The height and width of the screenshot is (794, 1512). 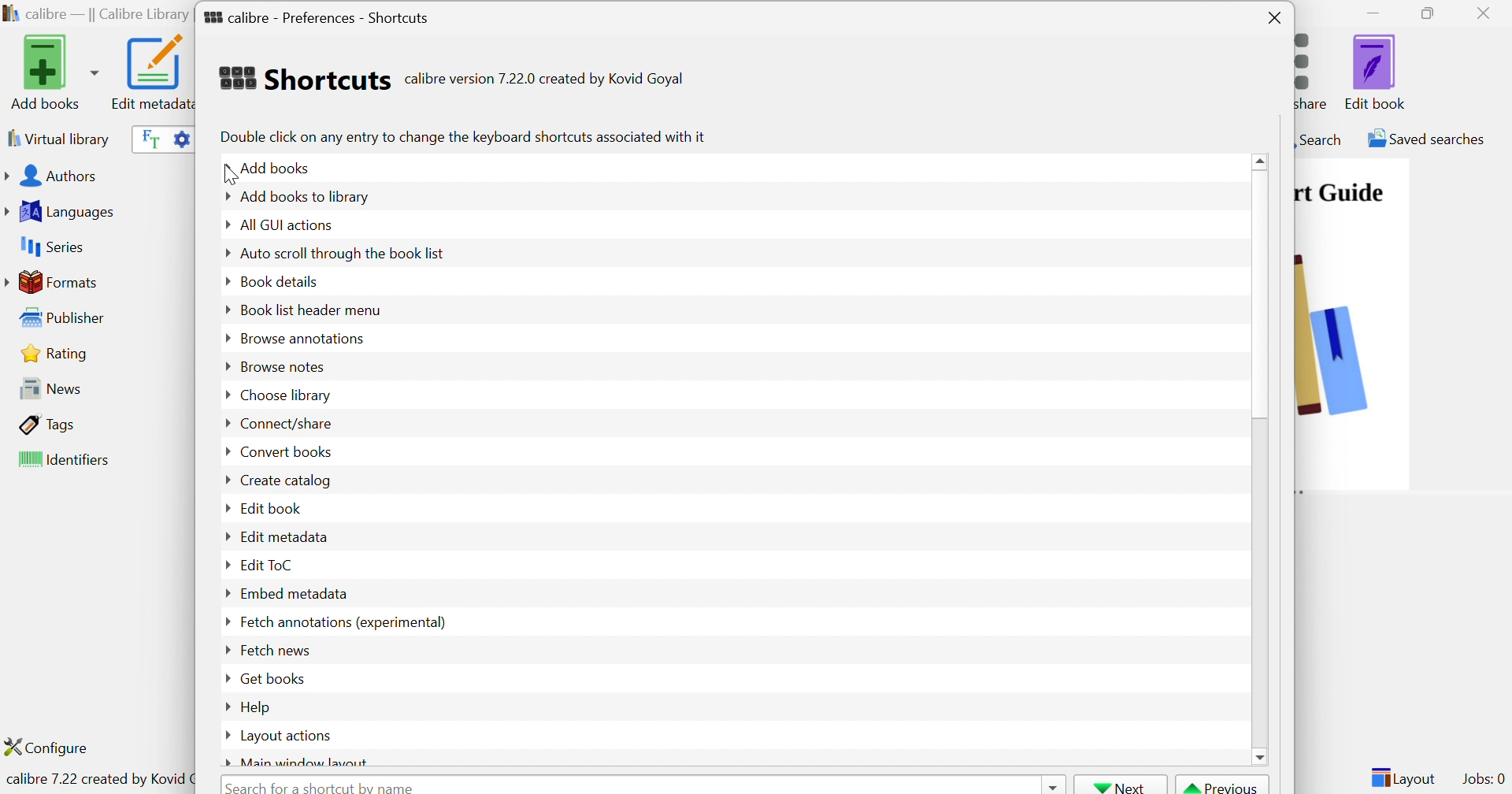 I want to click on Series, so click(x=50, y=247).